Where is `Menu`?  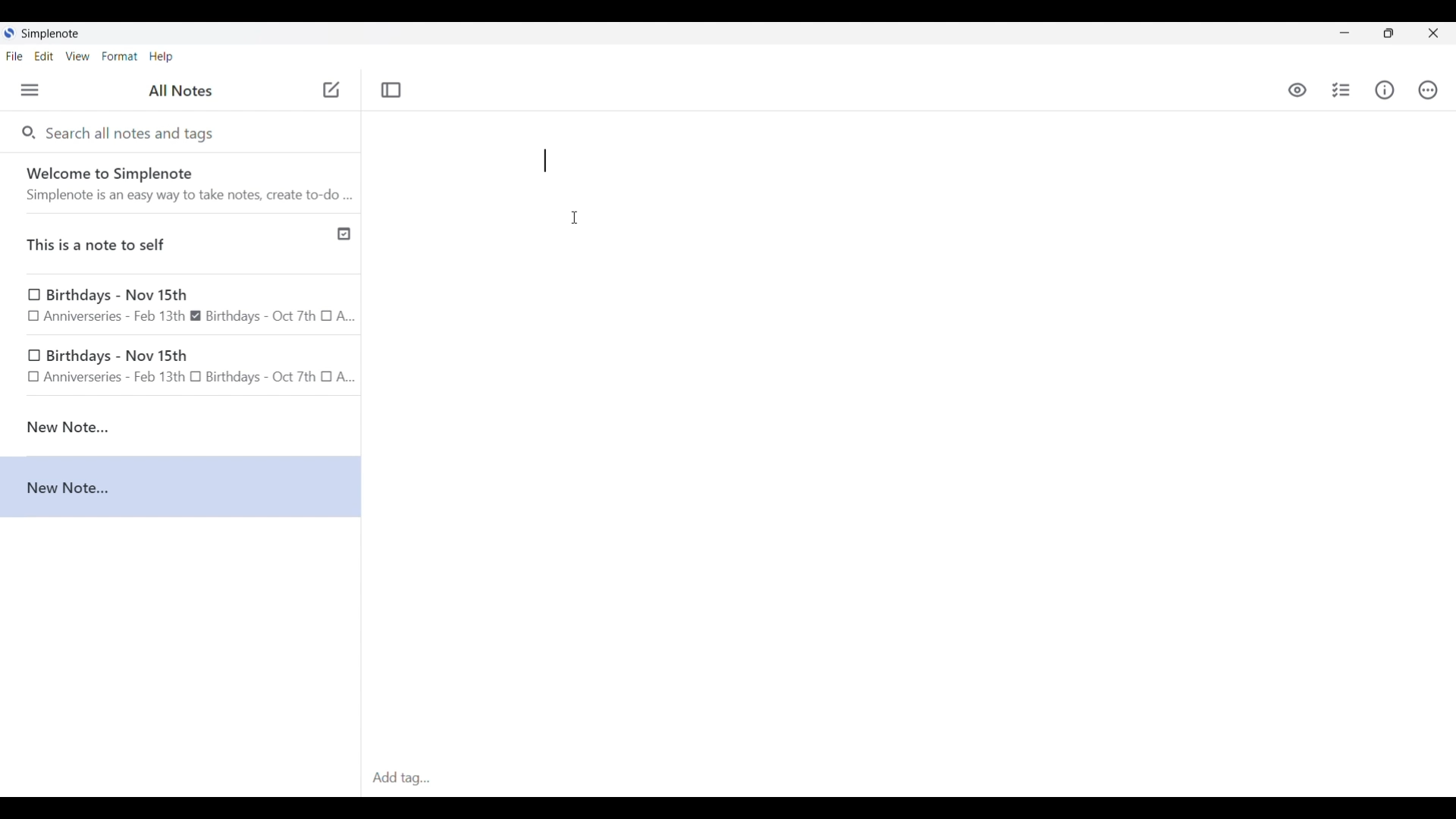 Menu is located at coordinates (30, 89).